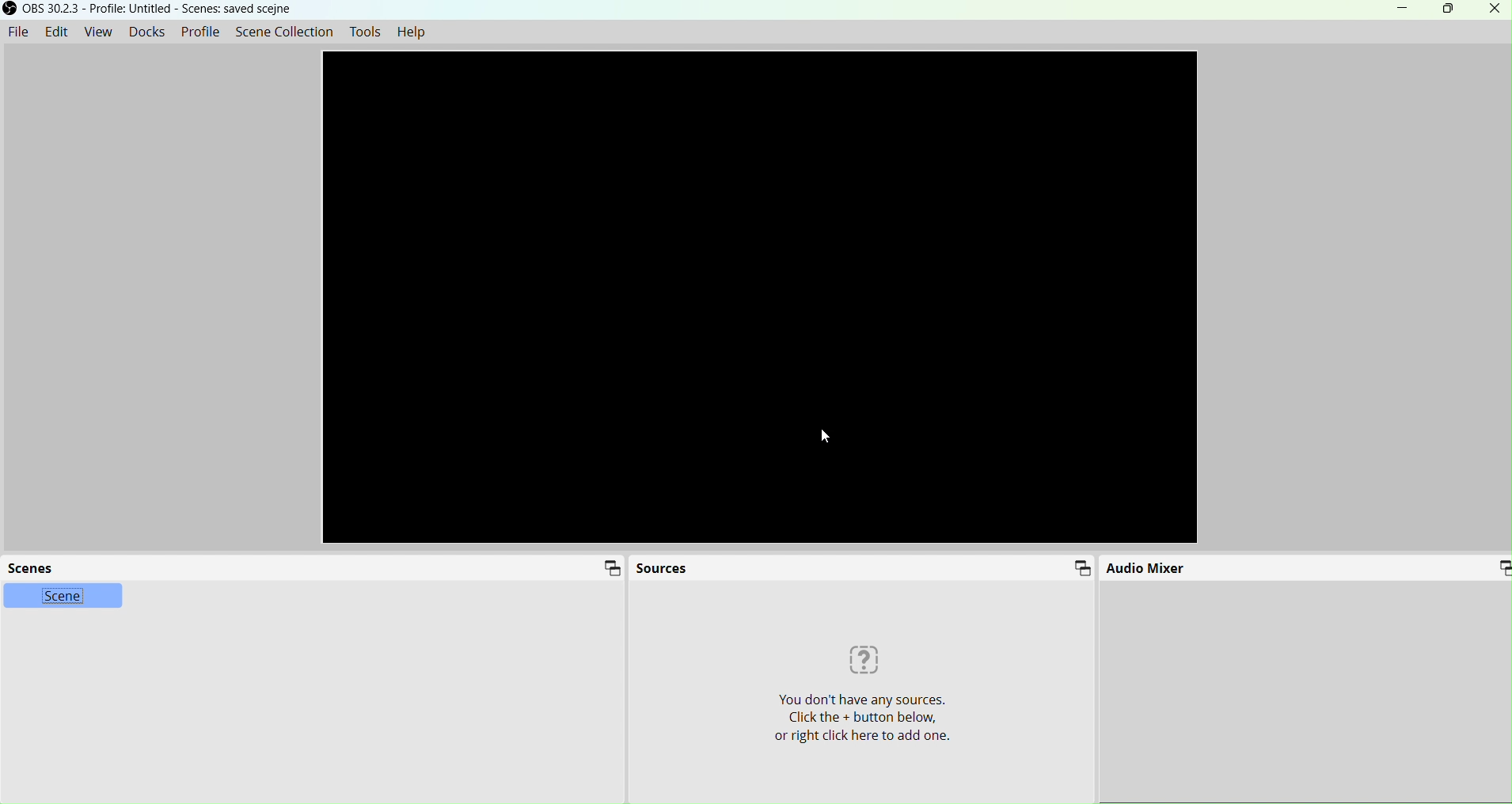 The image size is (1512, 804). What do you see at coordinates (97, 31) in the screenshot?
I see `View` at bounding box center [97, 31].